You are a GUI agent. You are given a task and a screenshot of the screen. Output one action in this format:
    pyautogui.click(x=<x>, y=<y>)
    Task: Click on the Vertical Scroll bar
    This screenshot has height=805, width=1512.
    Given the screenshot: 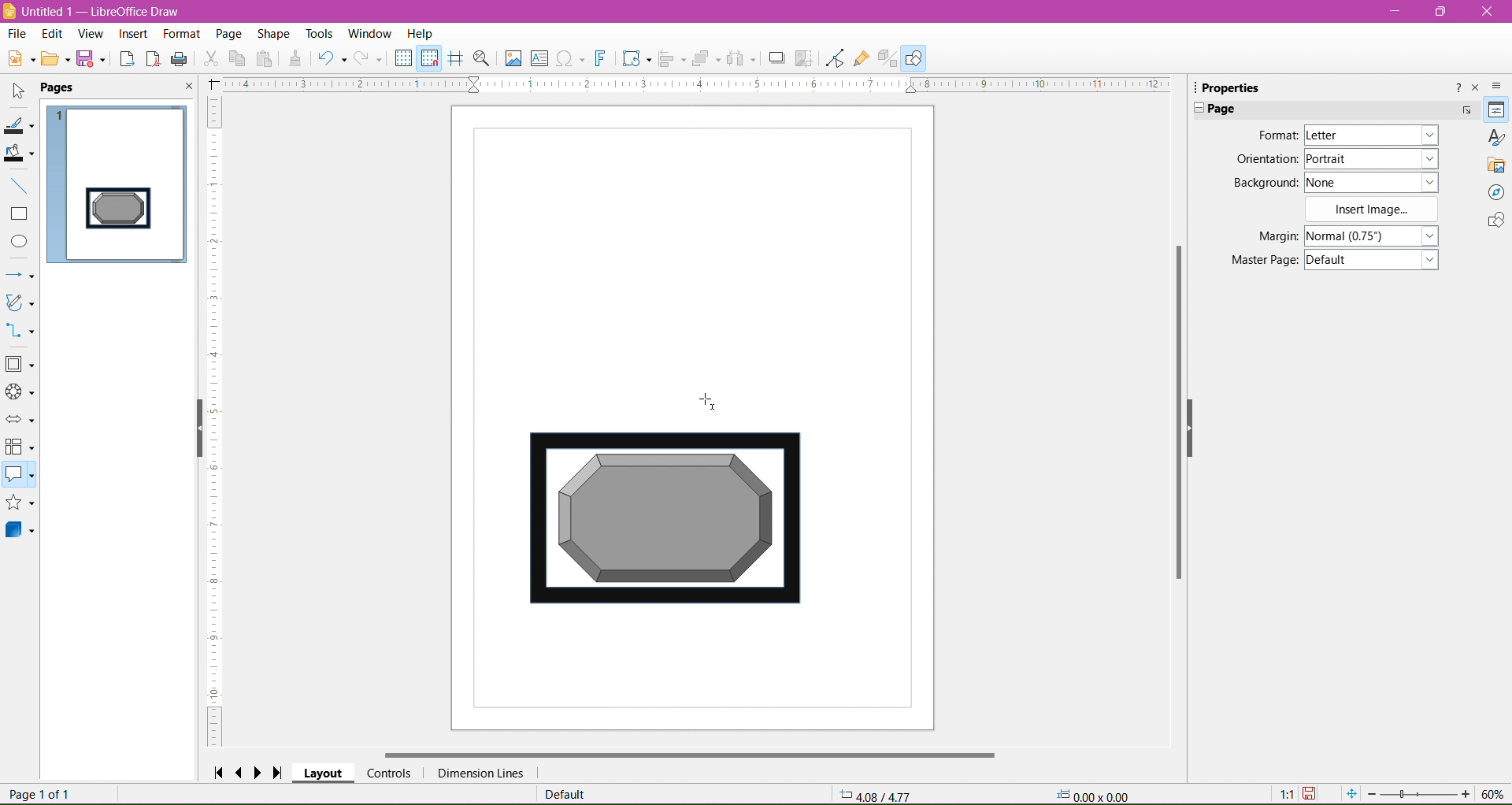 What is the action you would take?
    pyautogui.click(x=1178, y=418)
    